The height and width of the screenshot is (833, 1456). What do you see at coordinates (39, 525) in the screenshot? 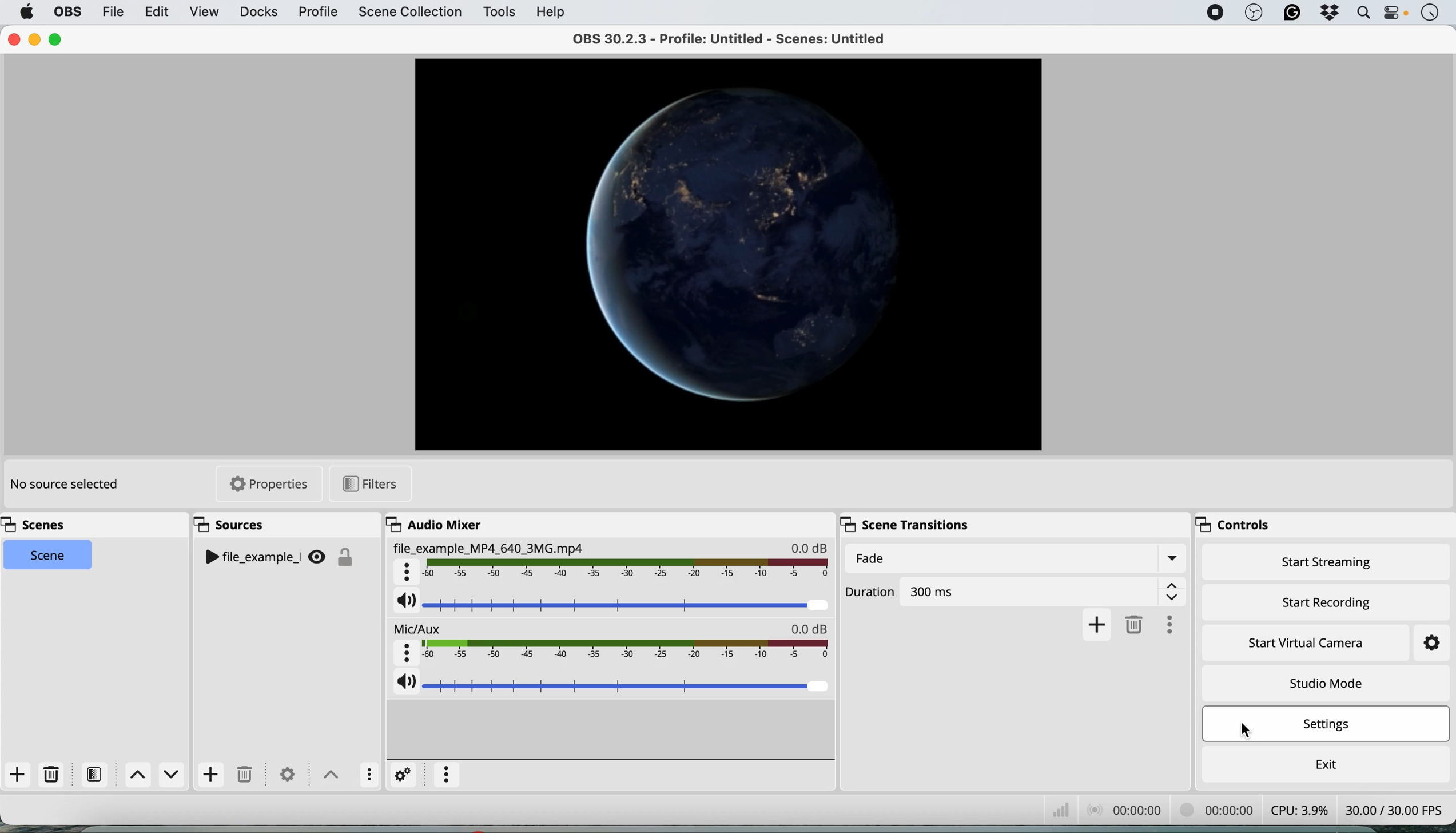
I see `scenes` at bounding box center [39, 525].